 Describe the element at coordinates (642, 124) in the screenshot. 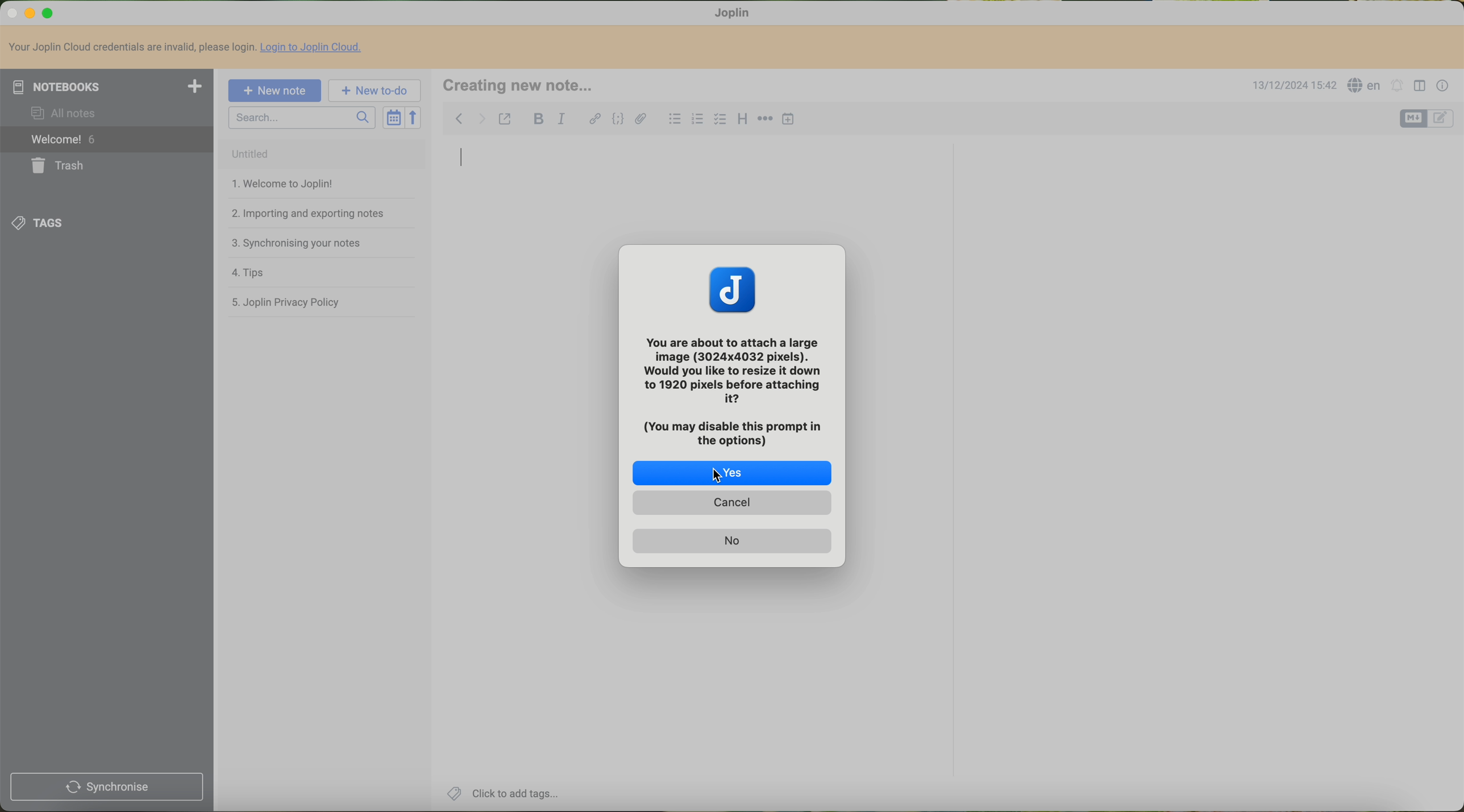

I see `click on attach file` at that location.